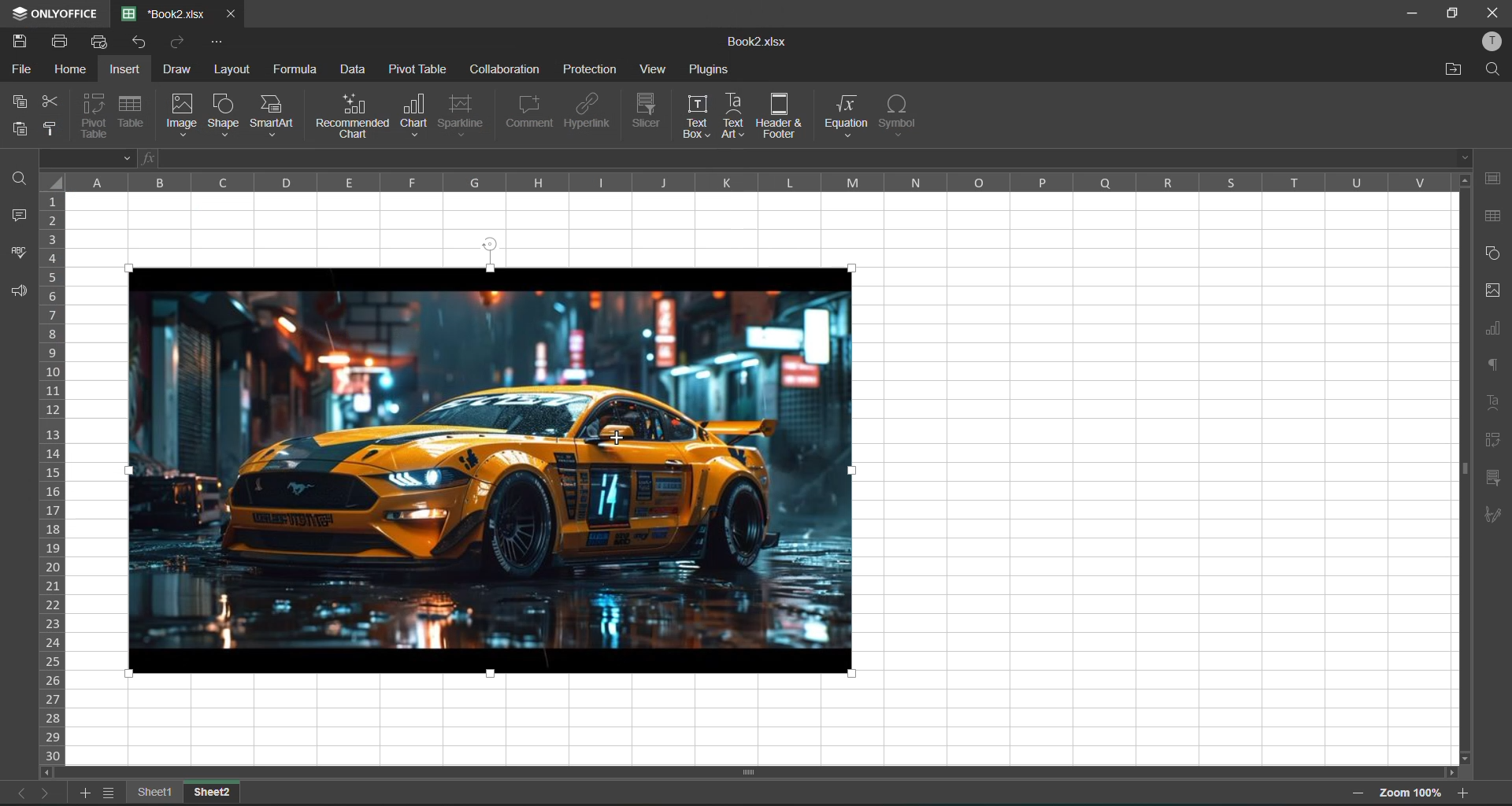  I want to click on close tab, so click(232, 15).